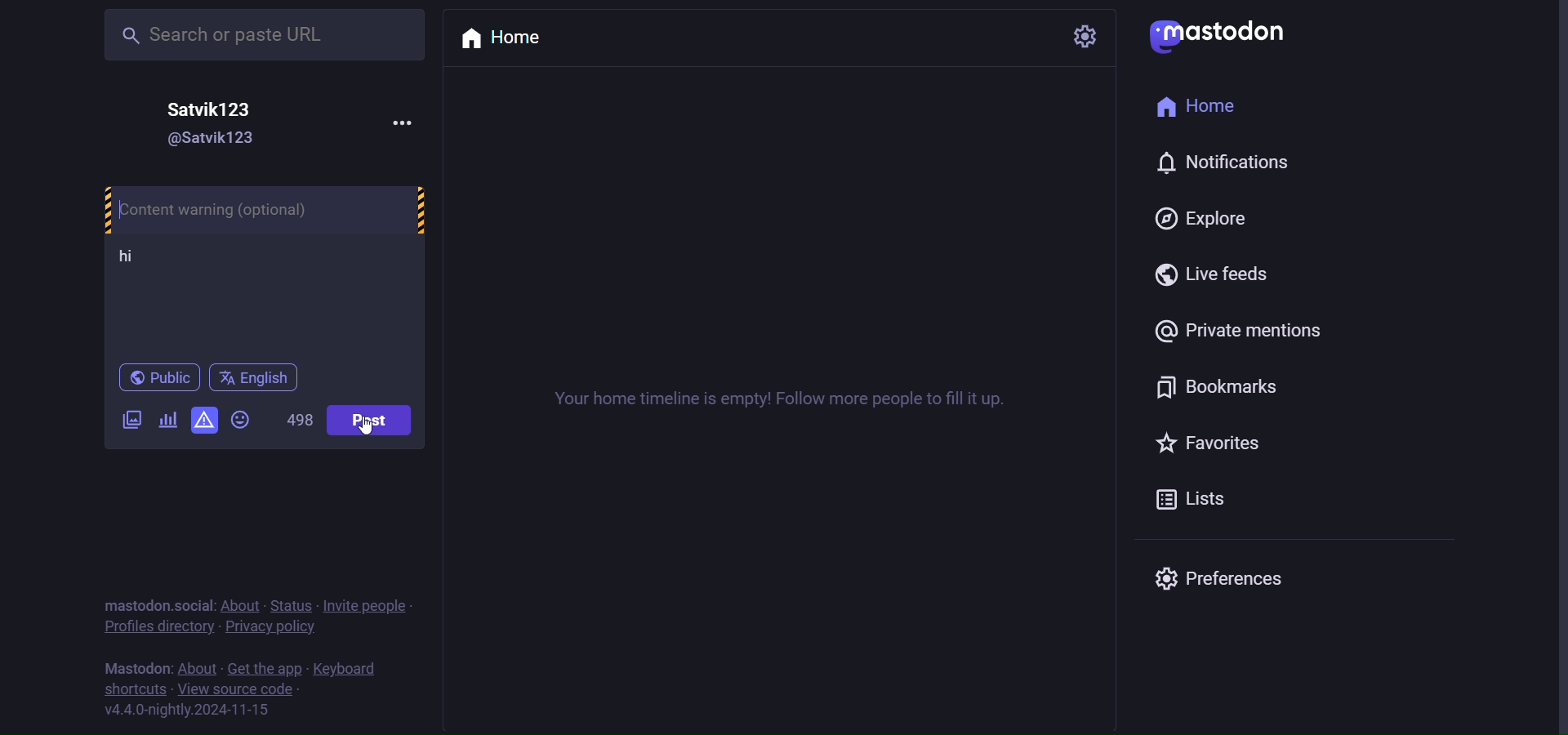  What do you see at coordinates (347, 670) in the screenshot?
I see `keyboard` at bounding box center [347, 670].